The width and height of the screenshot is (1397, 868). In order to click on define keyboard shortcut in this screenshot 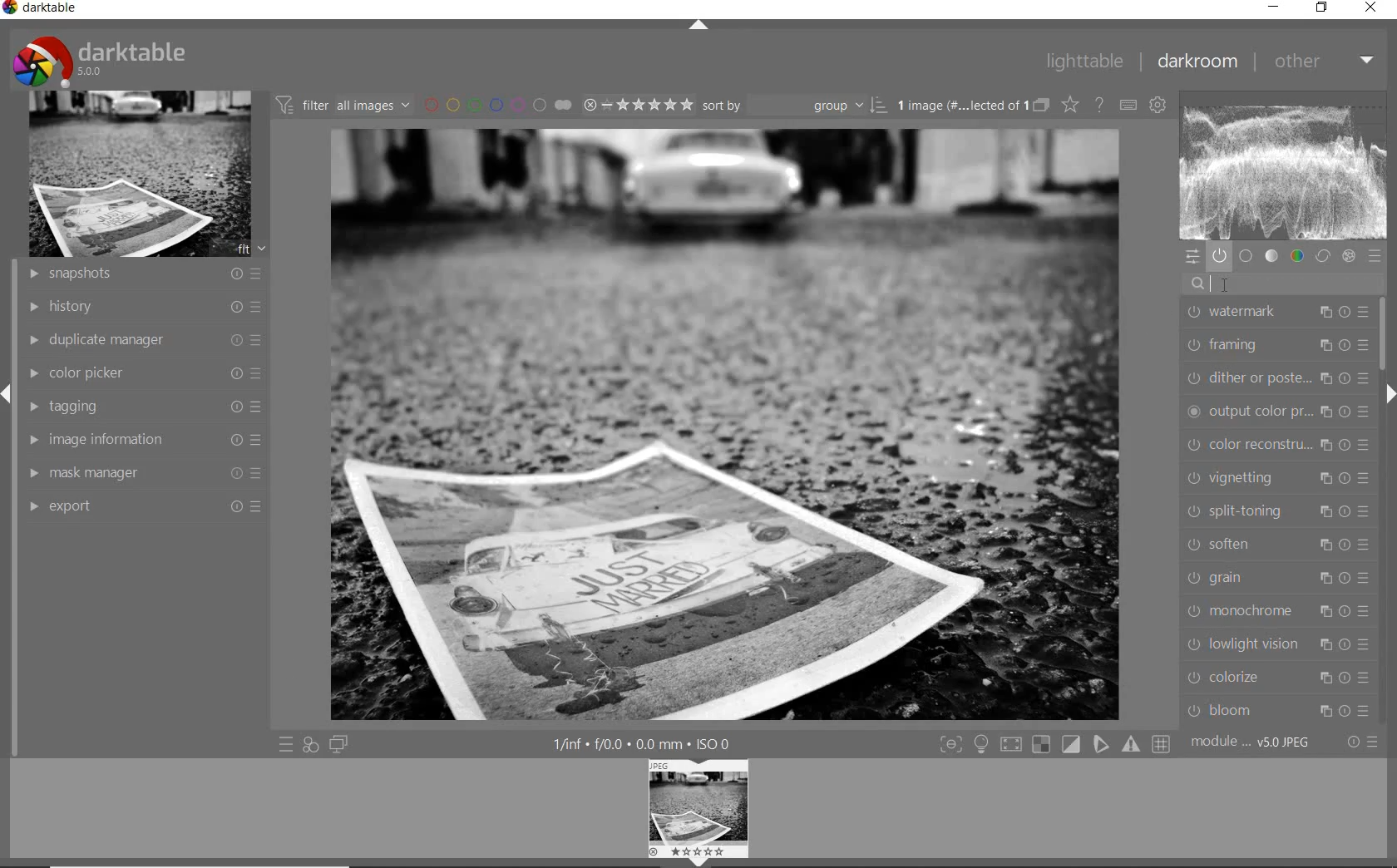, I will do `click(1128, 104)`.